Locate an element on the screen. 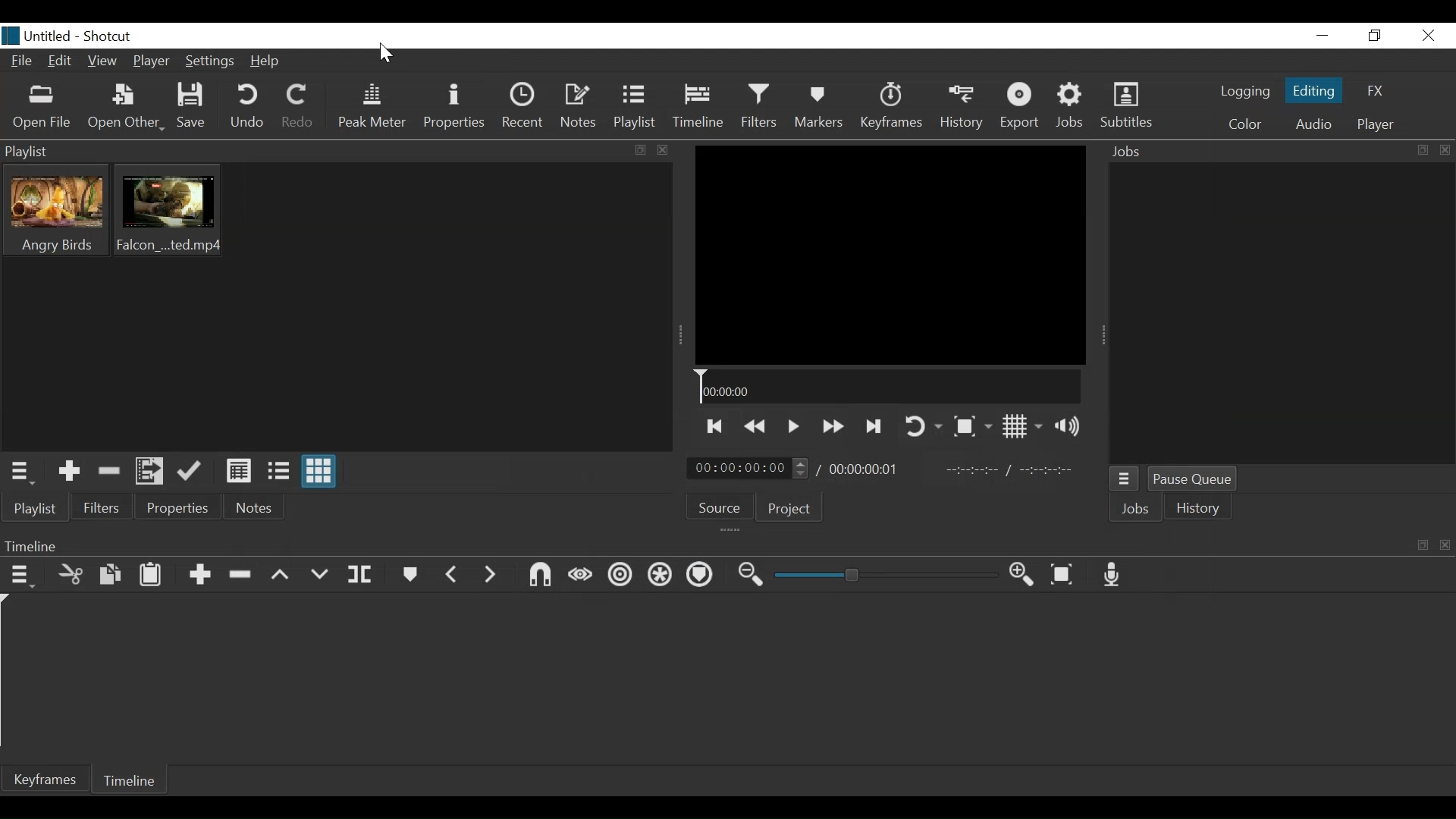 The height and width of the screenshot is (819, 1456). player is located at coordinates (1373, 124).